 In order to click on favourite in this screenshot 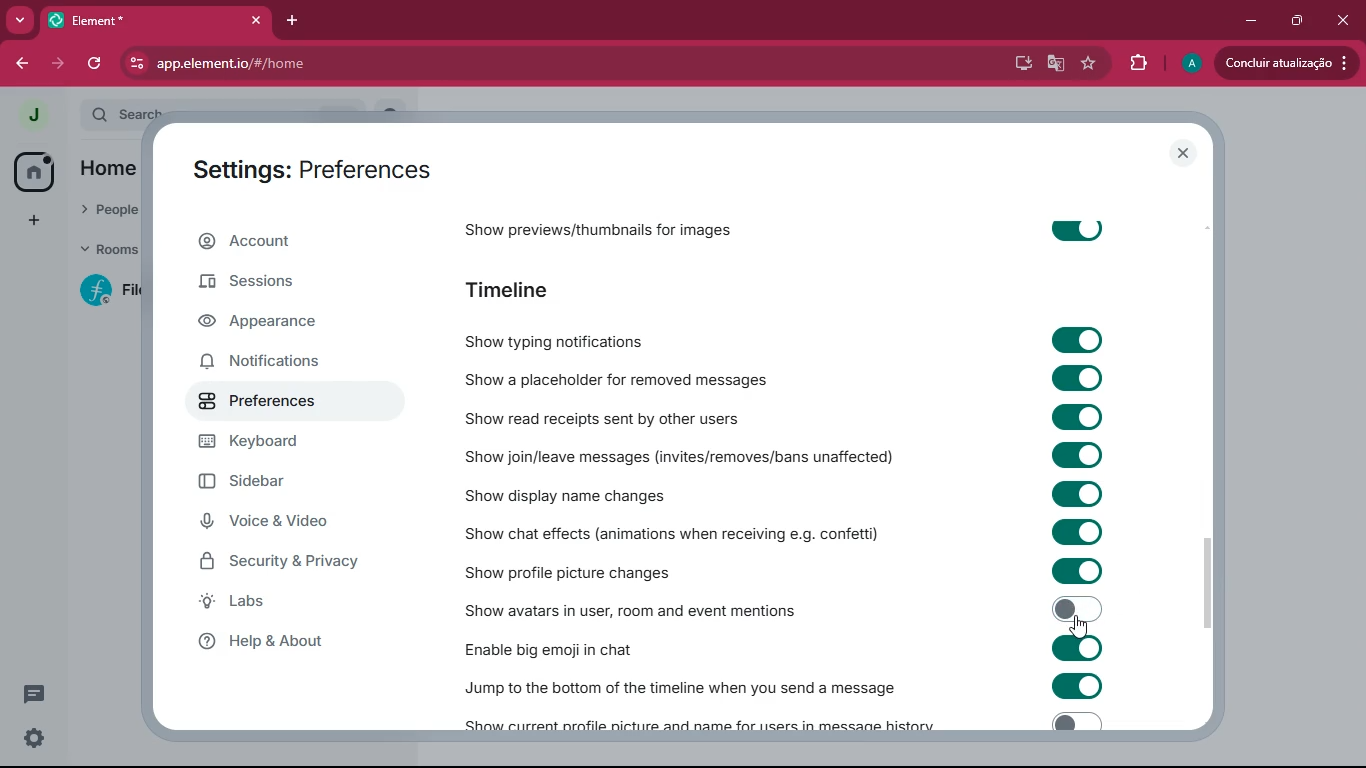, I will do `click(1092, 65)`.